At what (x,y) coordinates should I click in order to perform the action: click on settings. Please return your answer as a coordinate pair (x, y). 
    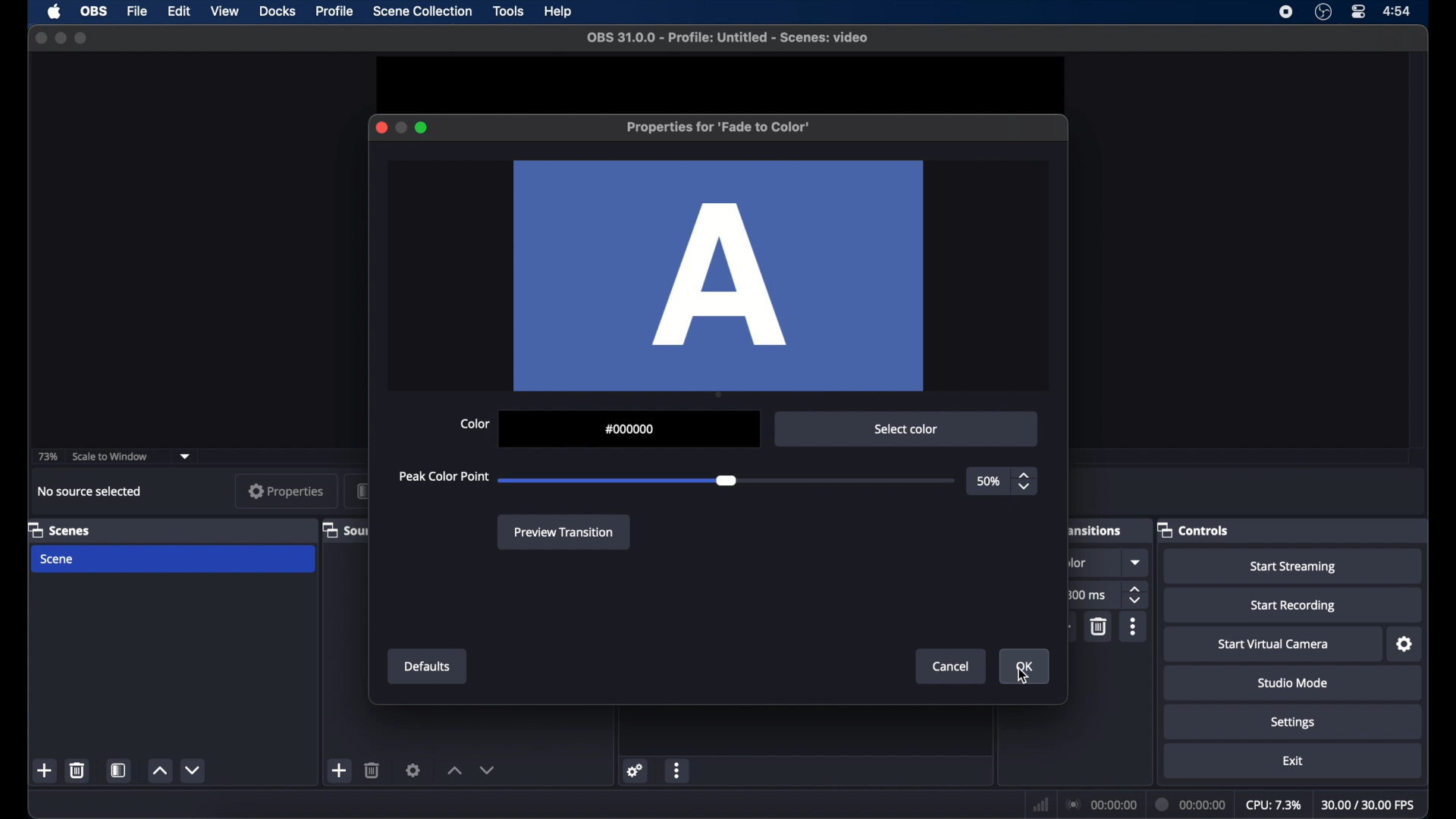
    Looking at the image, I should click on (634, 770).